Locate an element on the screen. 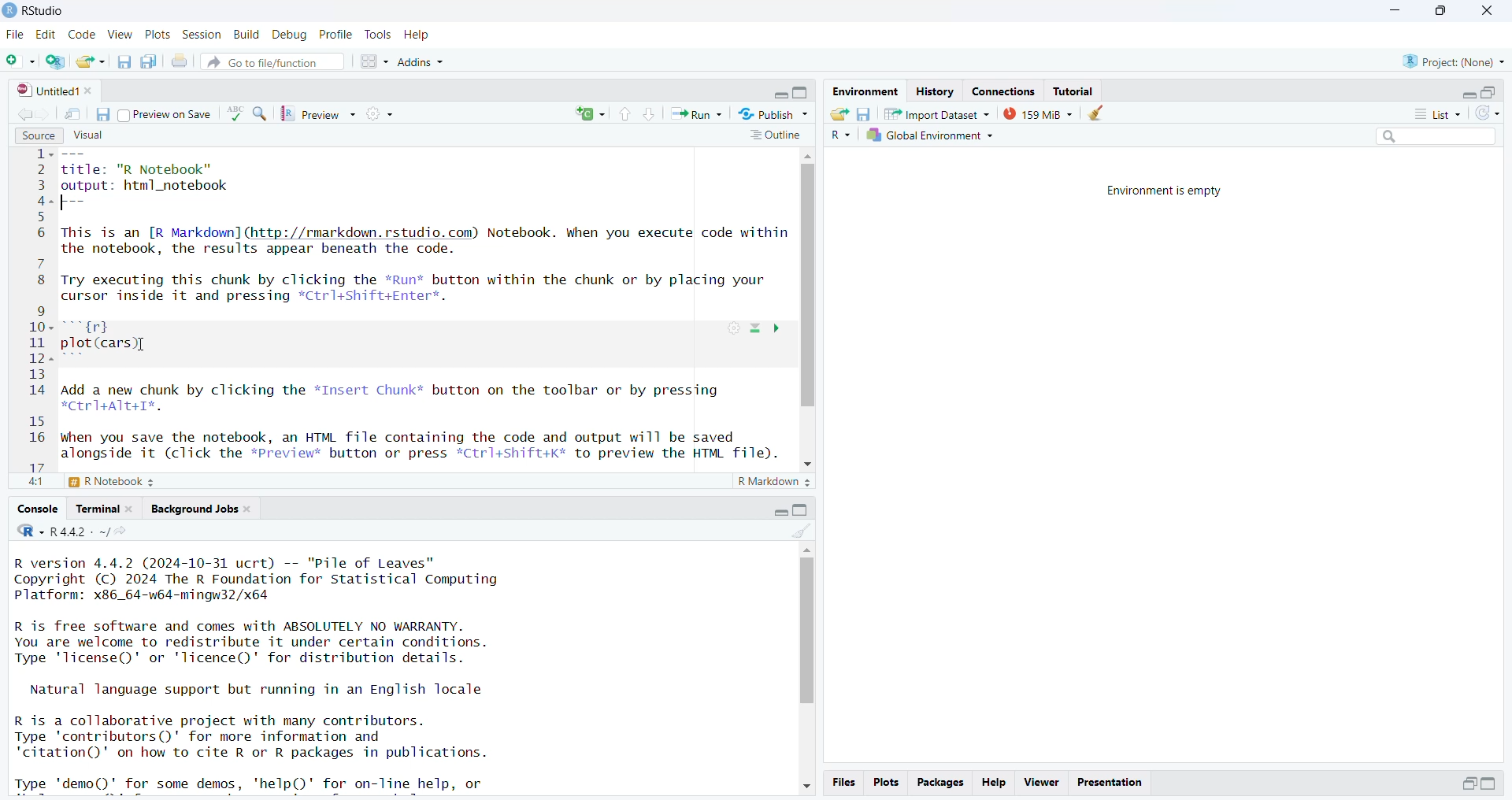  Addins is located at coordinates (421, 64).